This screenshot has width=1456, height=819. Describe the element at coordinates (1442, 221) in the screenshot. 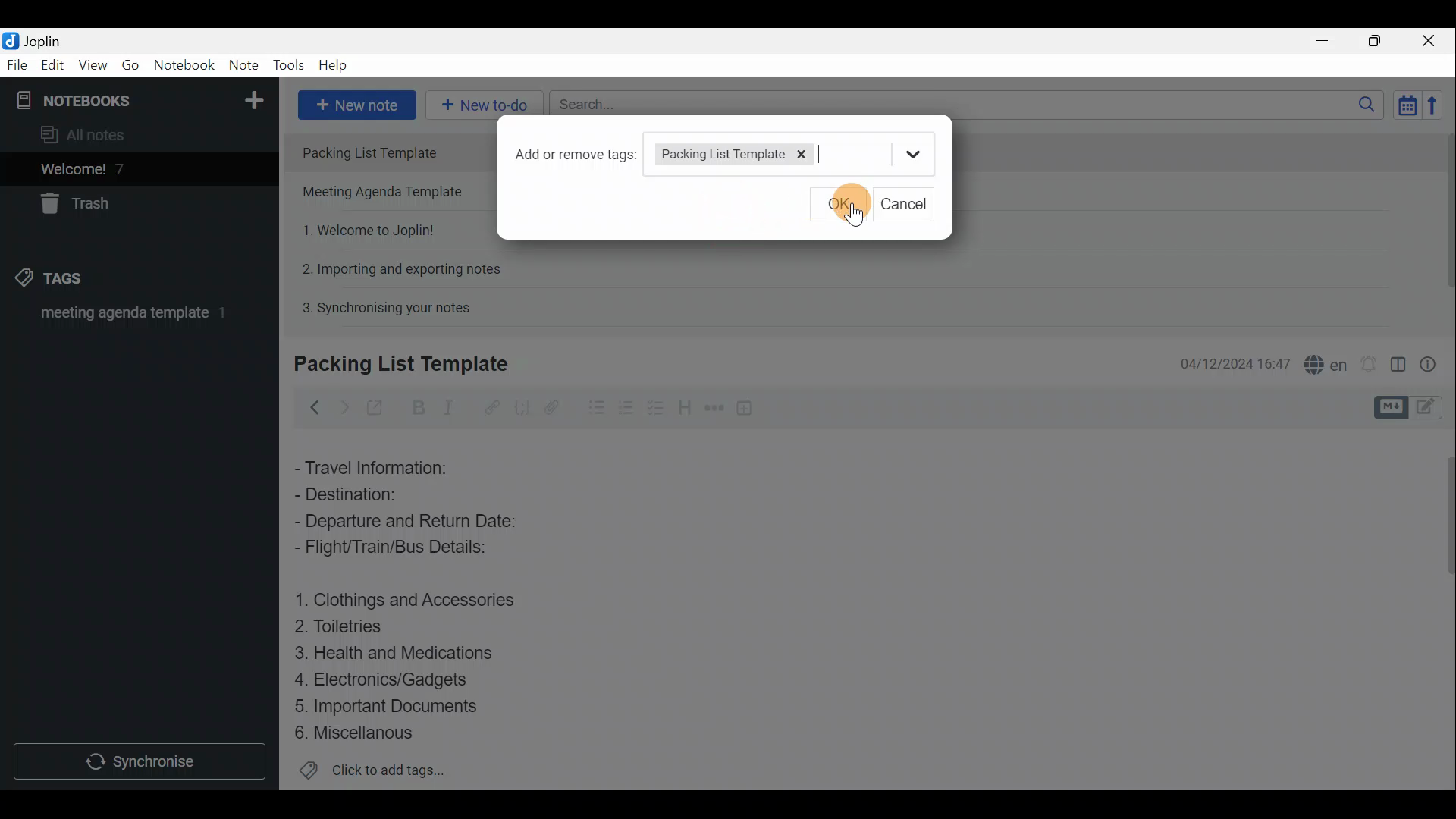

I see `Scroll bar` at that location.